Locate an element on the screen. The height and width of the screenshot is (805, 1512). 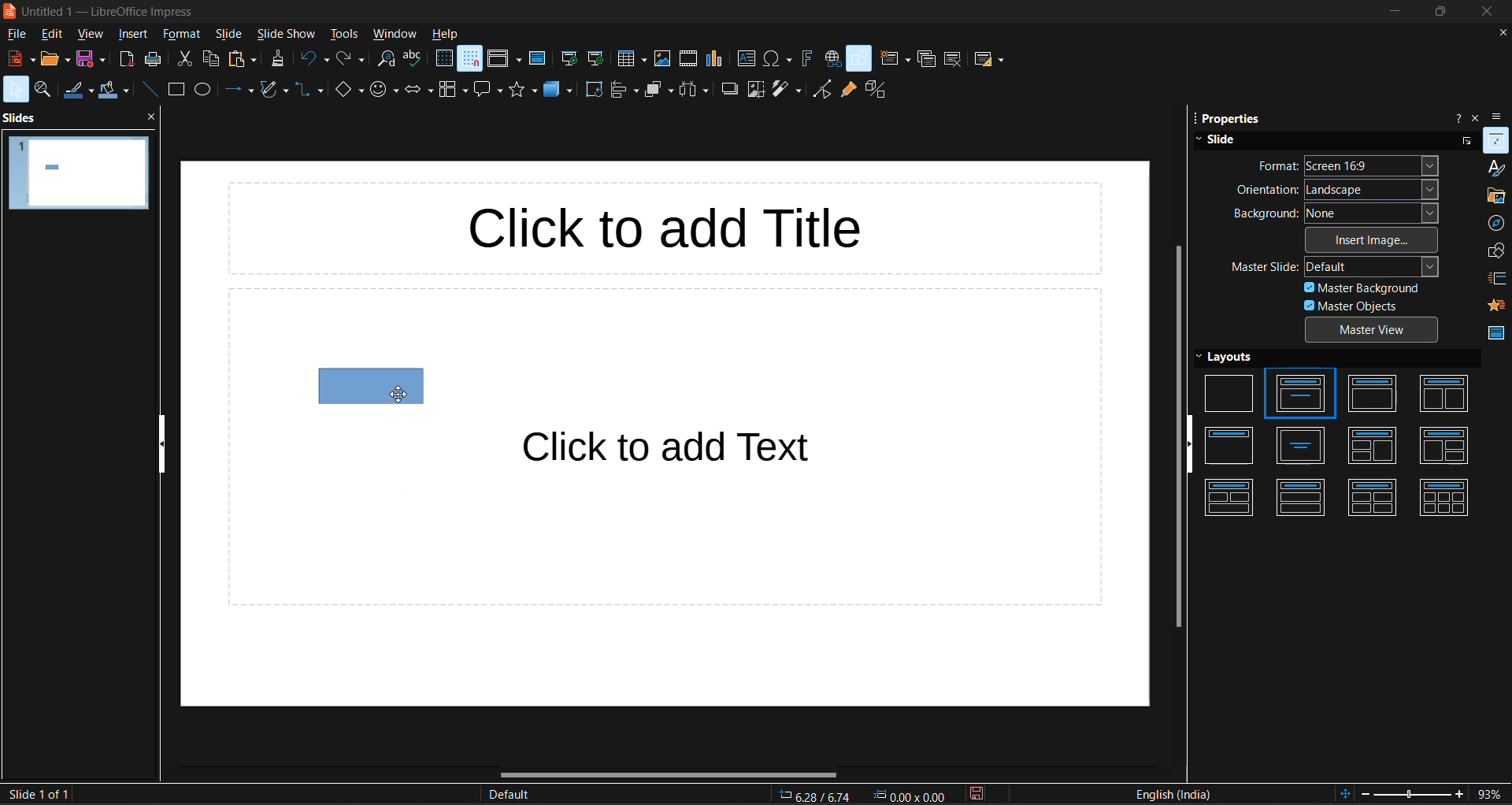
insert line is located at coordinates (150, 91).